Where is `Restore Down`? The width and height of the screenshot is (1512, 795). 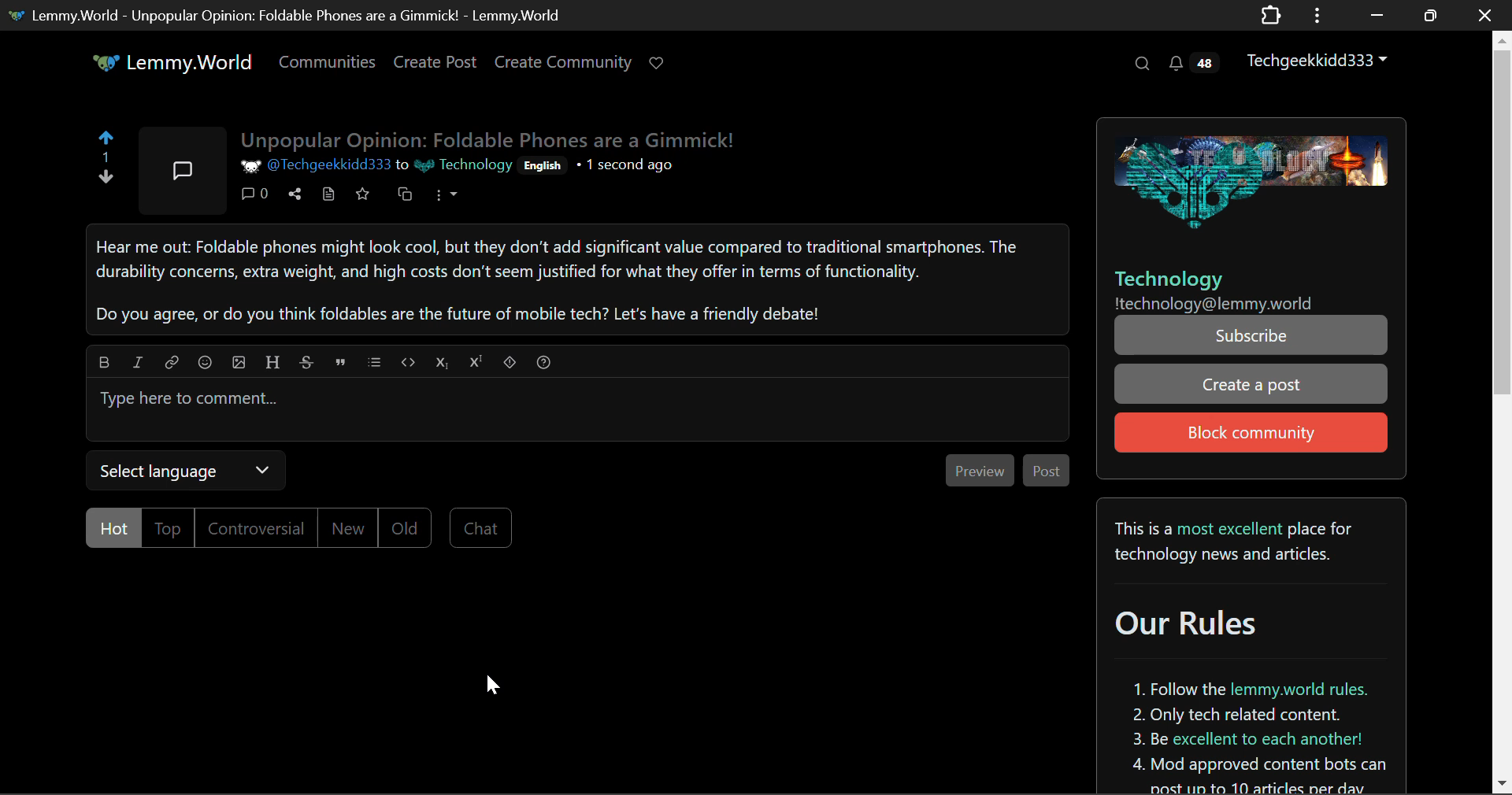
Restore Down is located at coordinates (1374, 15).